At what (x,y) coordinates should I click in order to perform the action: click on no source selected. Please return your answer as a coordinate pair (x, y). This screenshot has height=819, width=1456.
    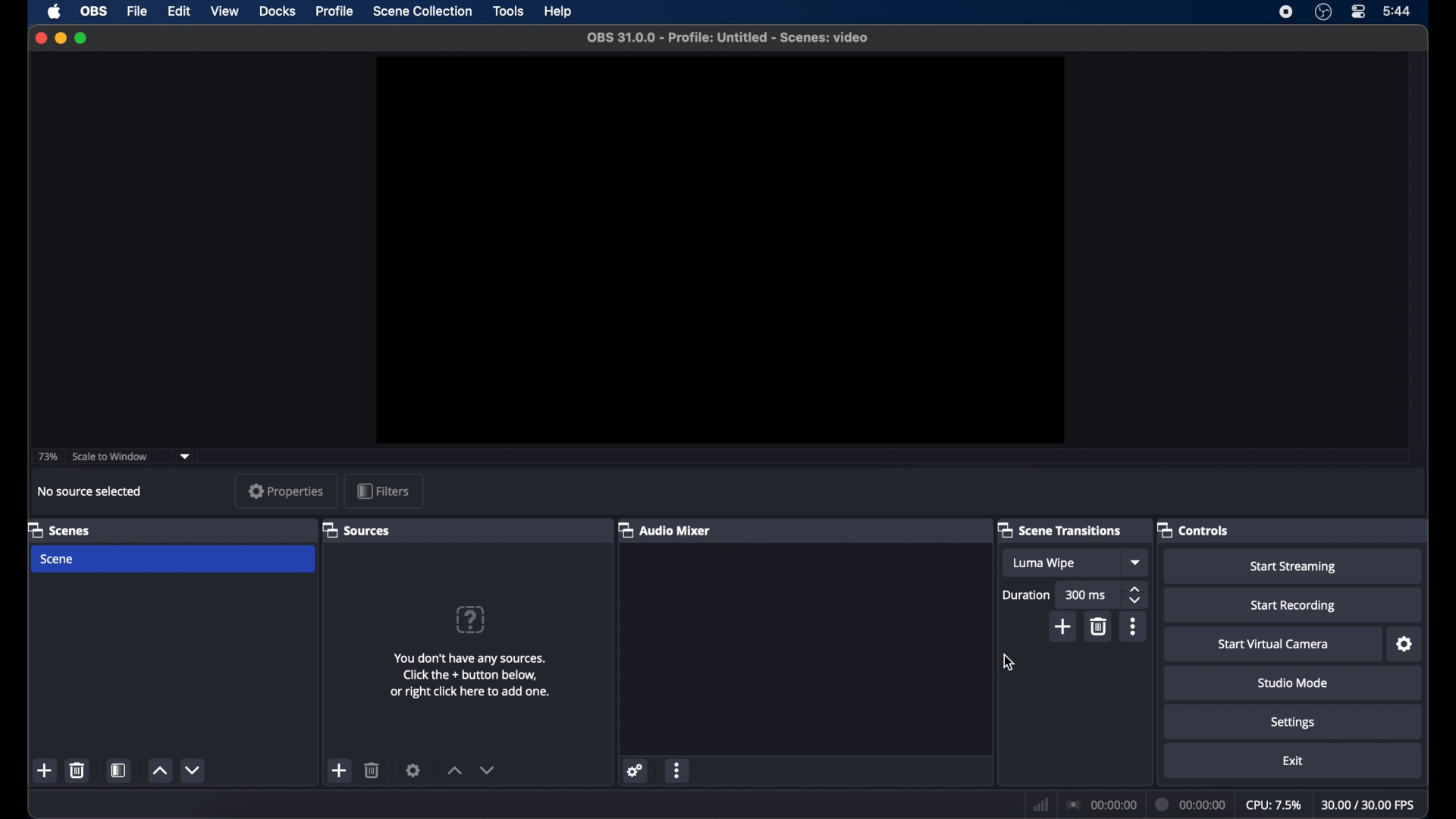
    Looking at the image, I should click on (89, 491).